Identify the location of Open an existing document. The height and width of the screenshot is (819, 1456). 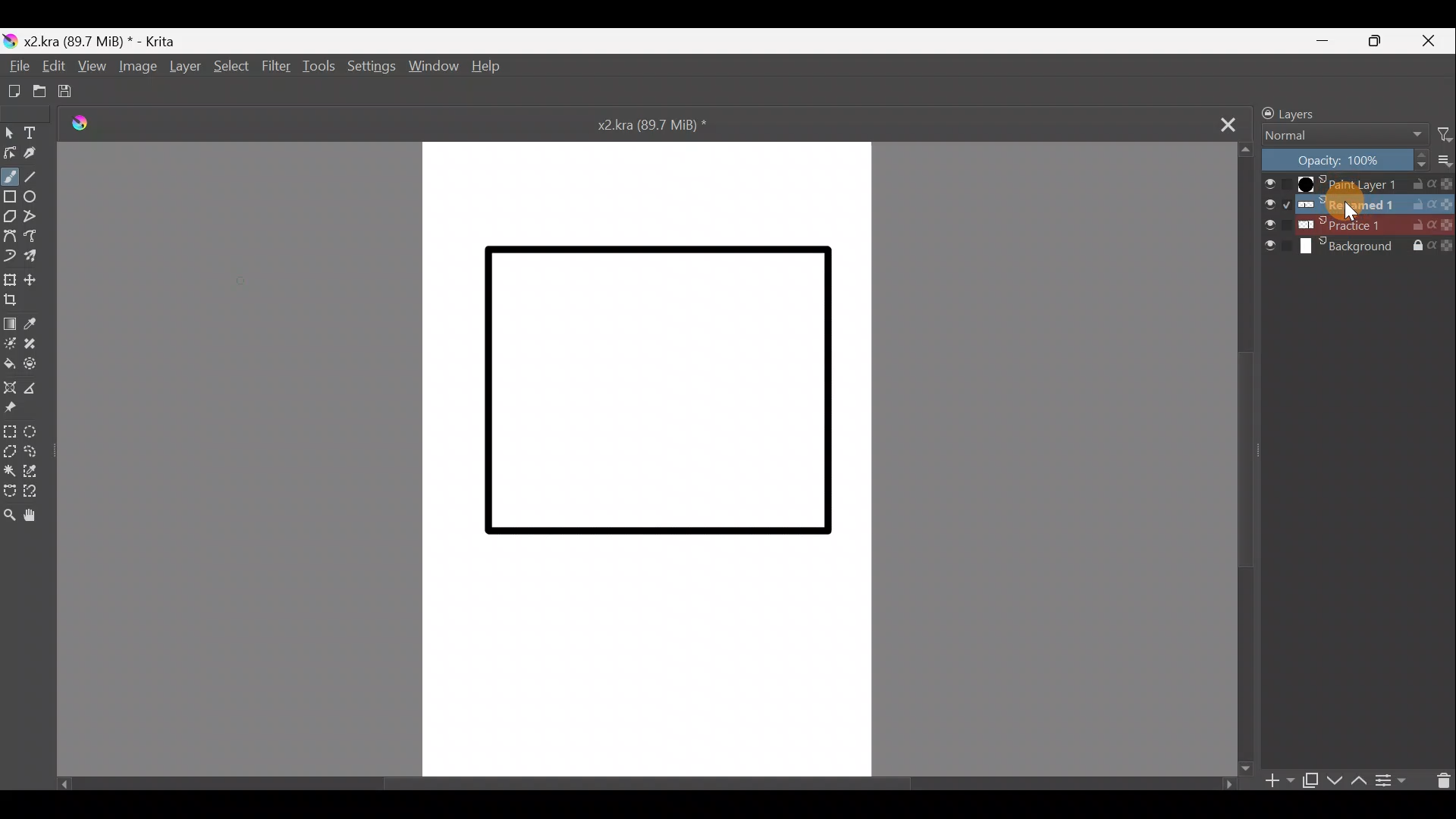
(38, 91).